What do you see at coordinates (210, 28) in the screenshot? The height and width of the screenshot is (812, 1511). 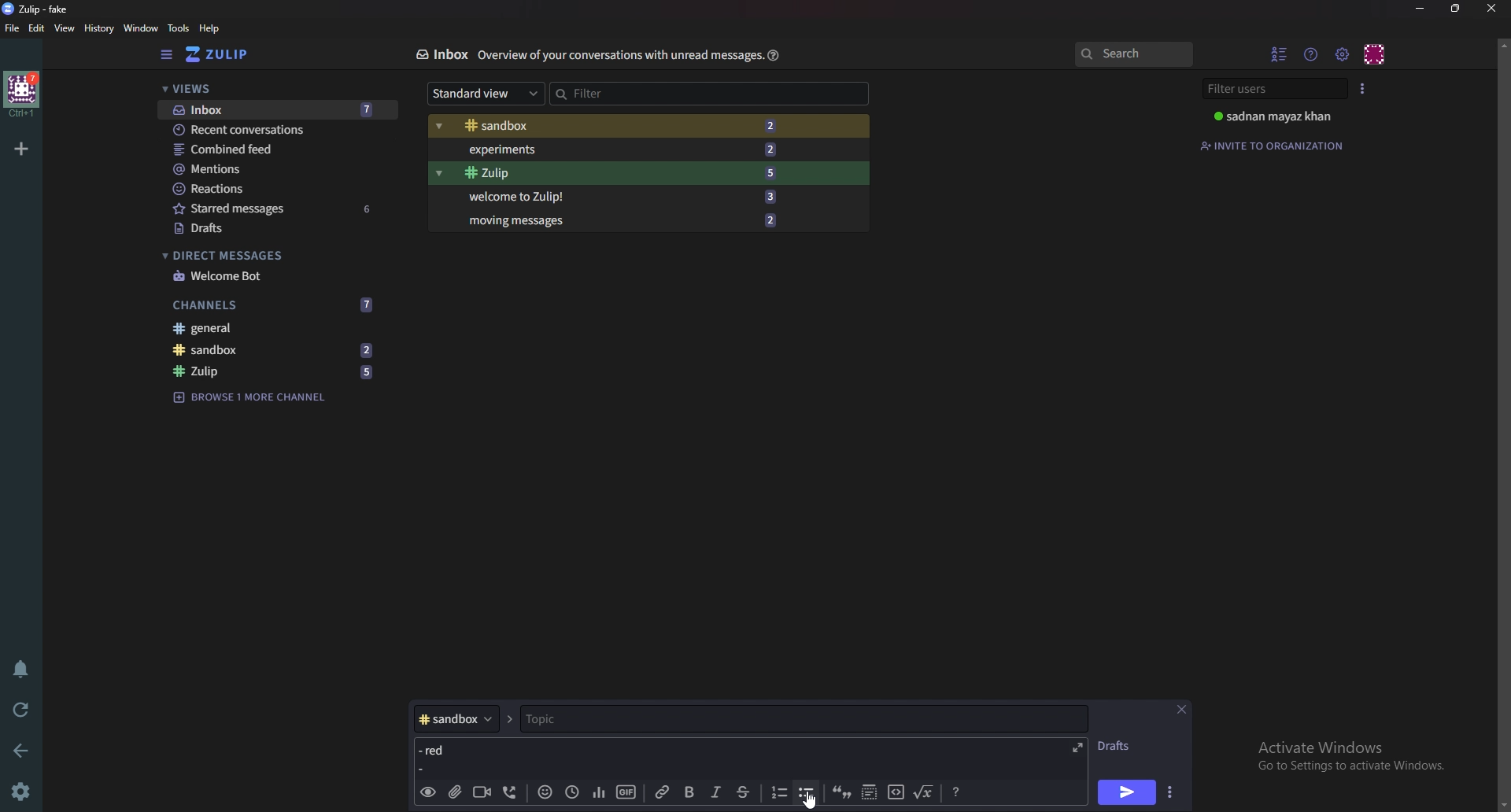 I see `help` at bounding box center [210, 28].